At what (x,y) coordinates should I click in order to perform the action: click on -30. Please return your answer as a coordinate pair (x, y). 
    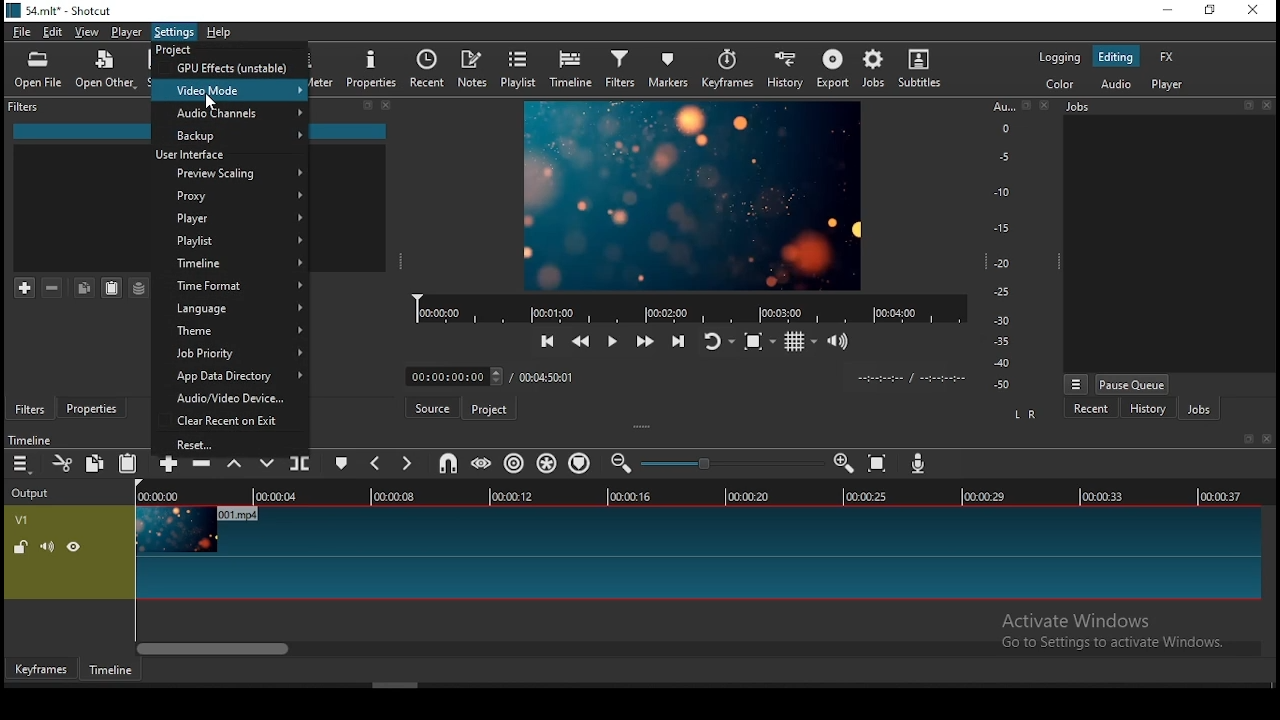
    Looking at the image, I should click on (1005, 320).